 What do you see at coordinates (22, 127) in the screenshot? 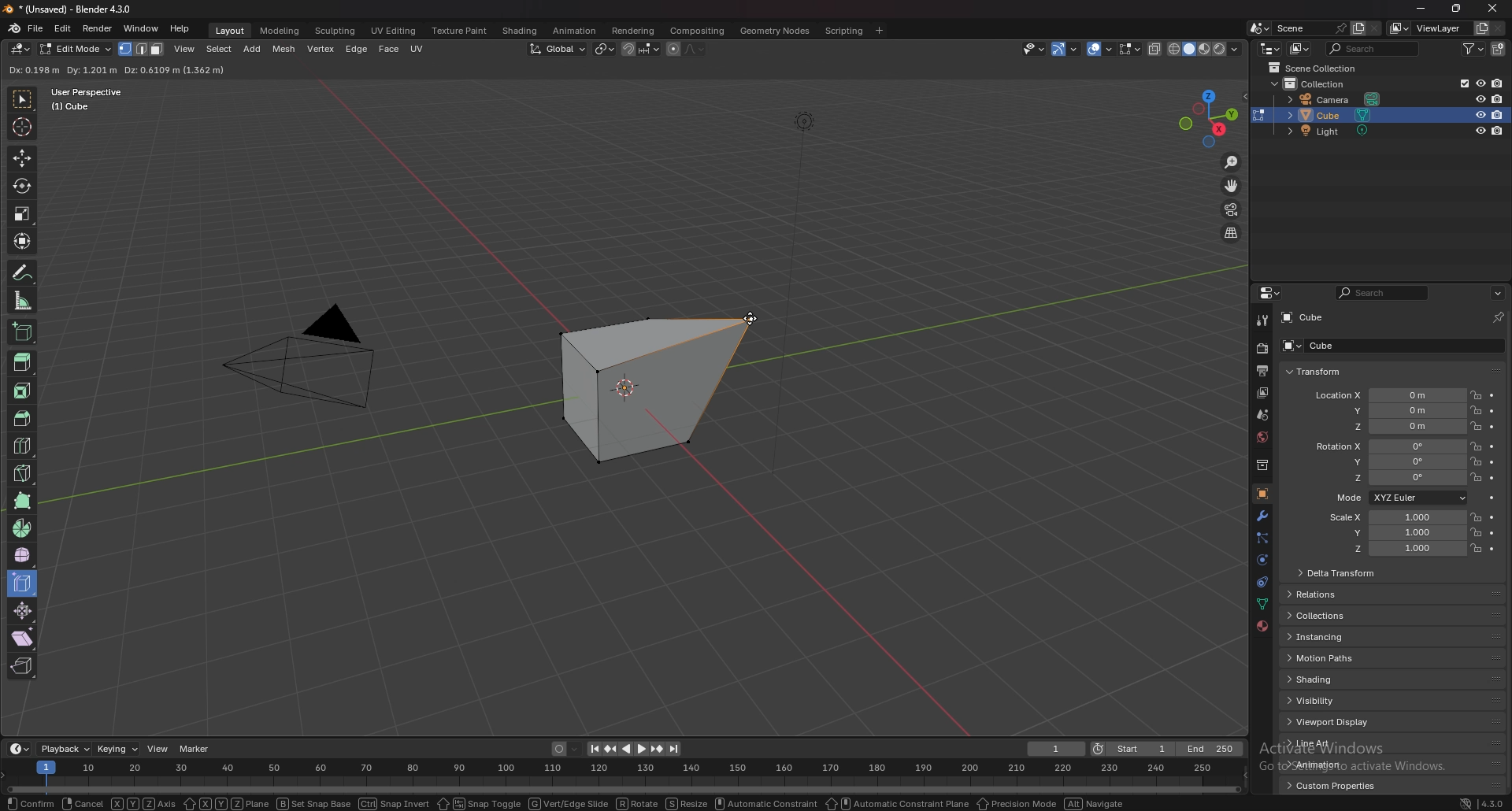
I see `cursor` at bounding box center [22, 127].